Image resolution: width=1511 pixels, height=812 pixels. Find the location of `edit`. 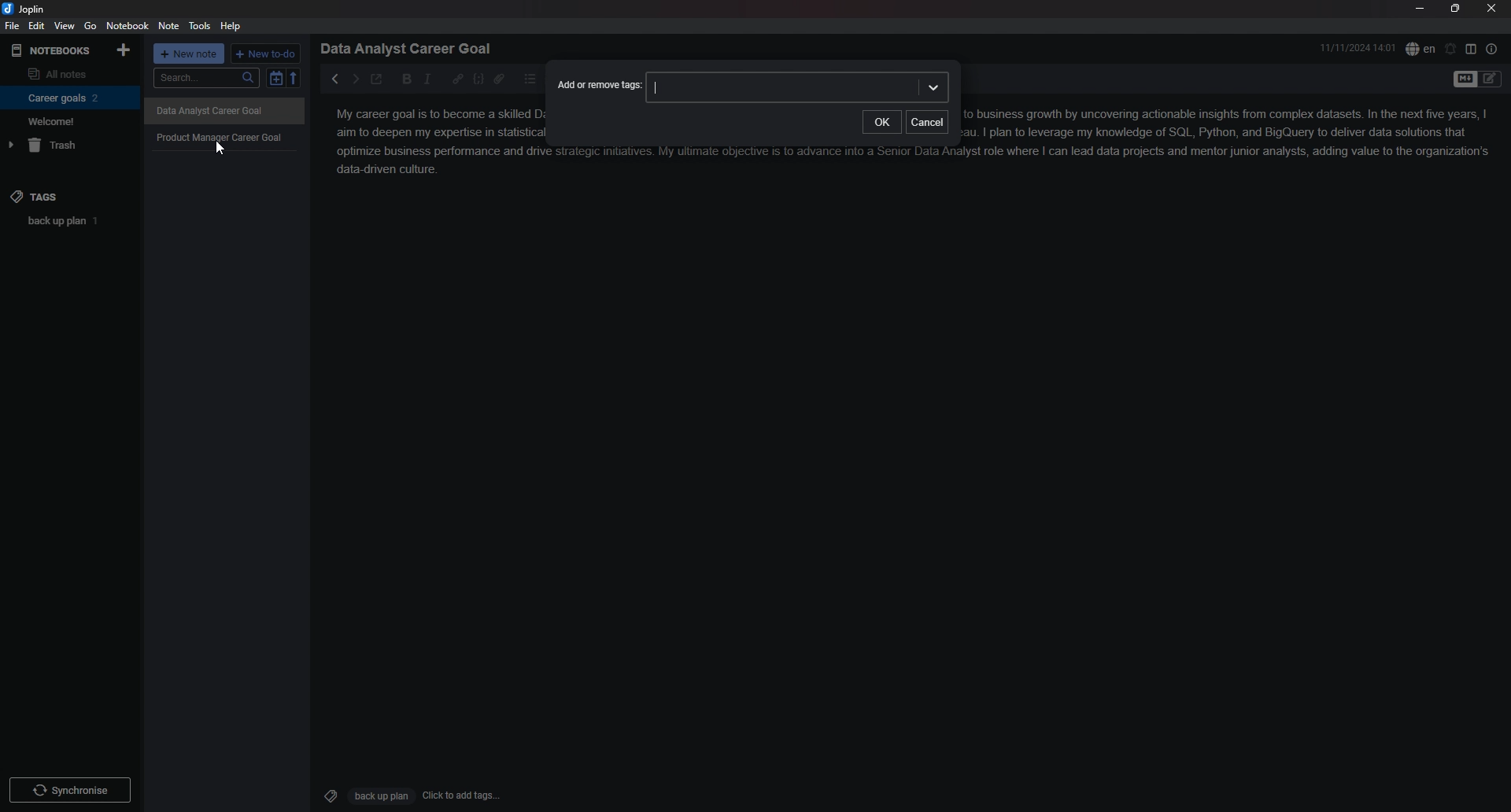

edit is located at coordinates (38, 25).